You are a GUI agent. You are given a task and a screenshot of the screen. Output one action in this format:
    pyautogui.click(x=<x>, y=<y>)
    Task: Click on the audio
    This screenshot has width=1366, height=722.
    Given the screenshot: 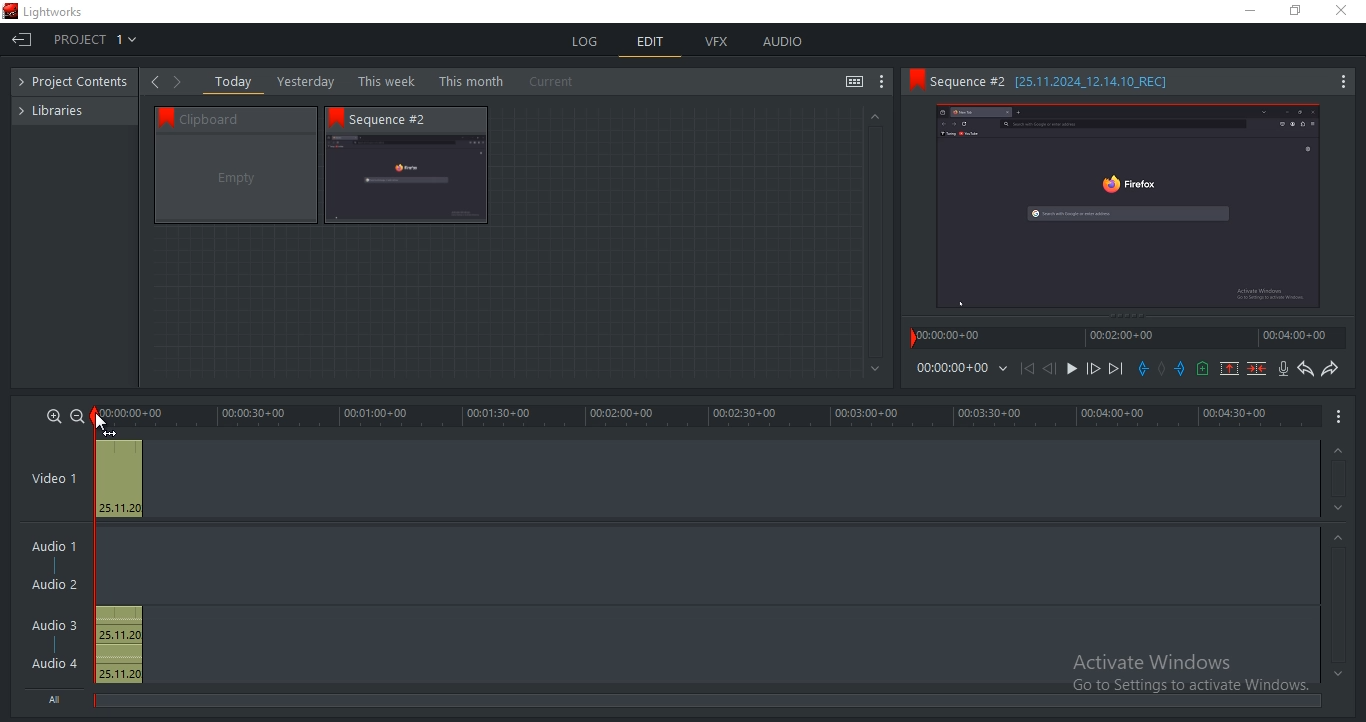 What is the action you would take?
    pyautogui.click(x=782, y=41)
    